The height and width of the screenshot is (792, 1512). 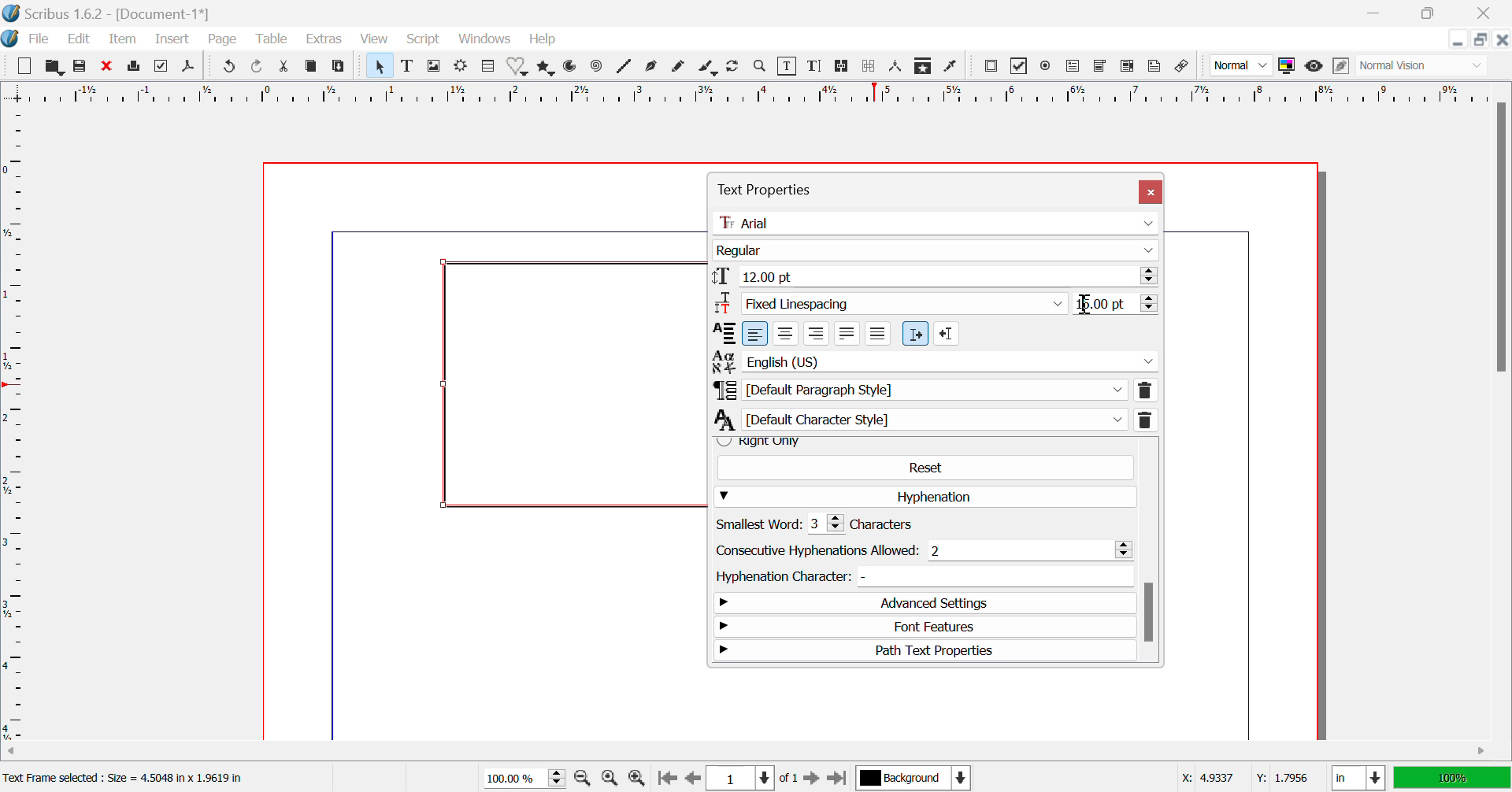 I want to click on Delink Text Frame, so click(x=869, y=68).